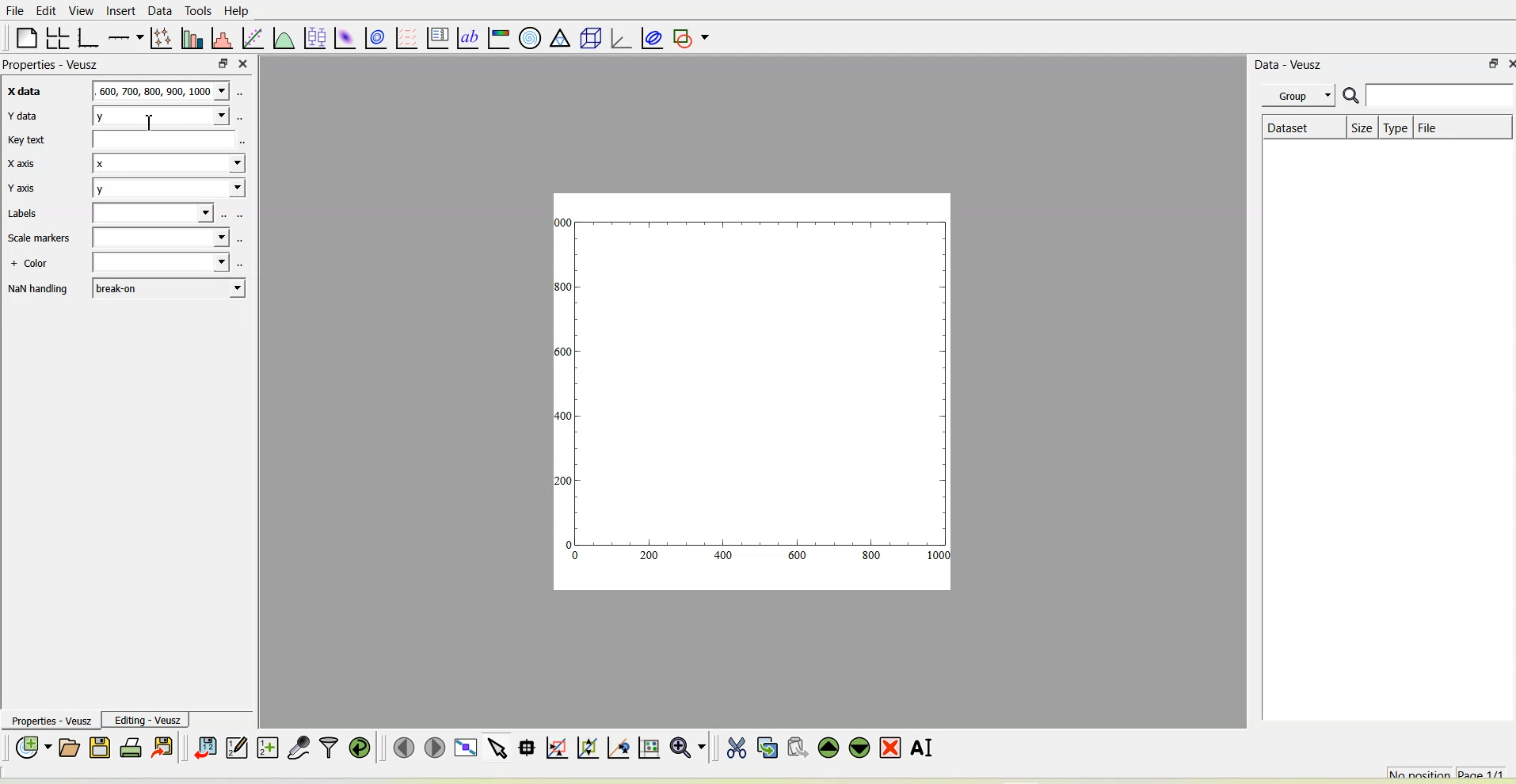 Image resolution: width=1516 pixels, height=784 pixels. What do you see at coordinates (24, 187) in the screenshot?
I see `Y axis` at bounding box center [24, 187].